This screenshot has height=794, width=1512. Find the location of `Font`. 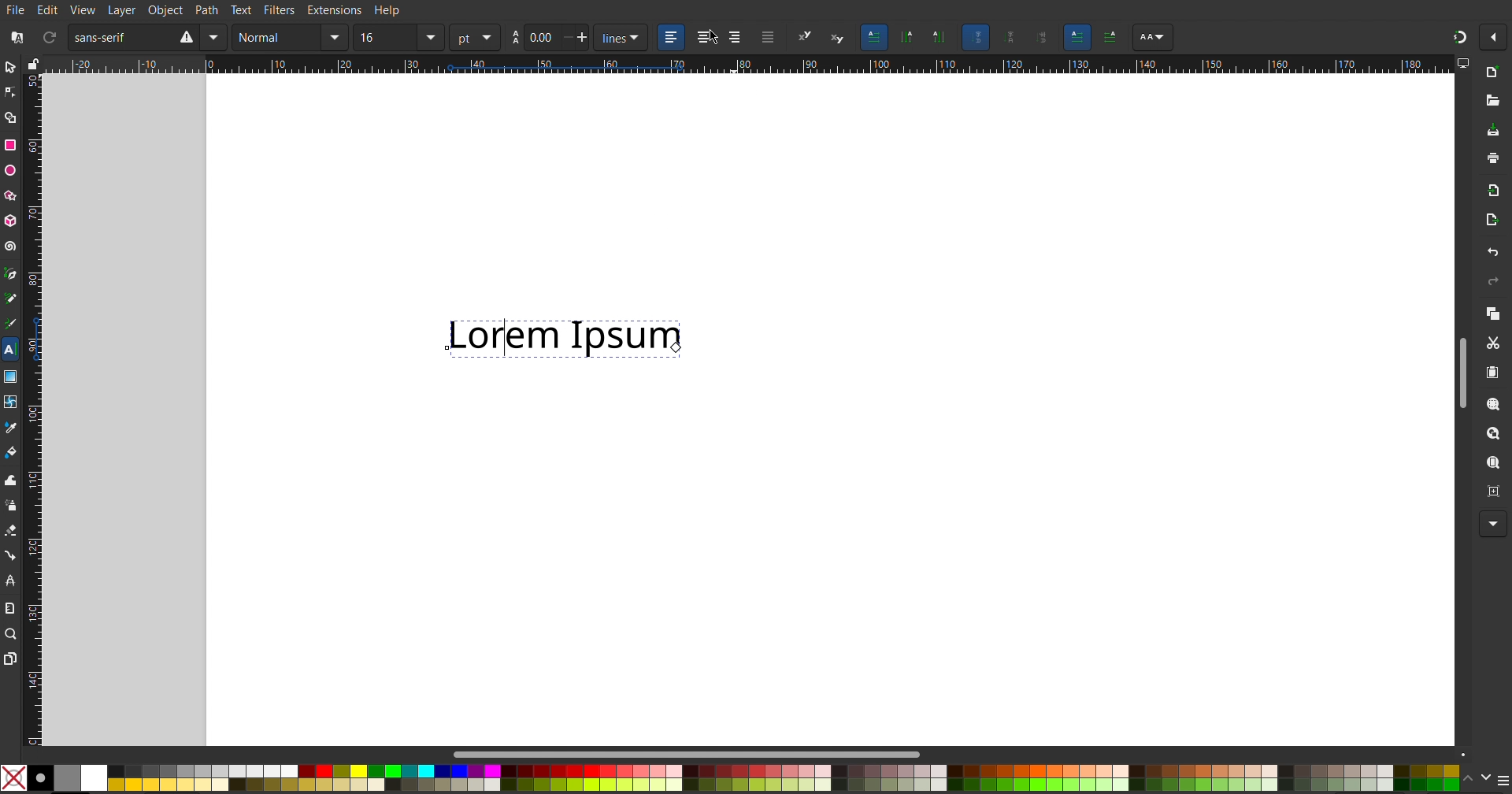

Font is located at coordinates (147, 36).